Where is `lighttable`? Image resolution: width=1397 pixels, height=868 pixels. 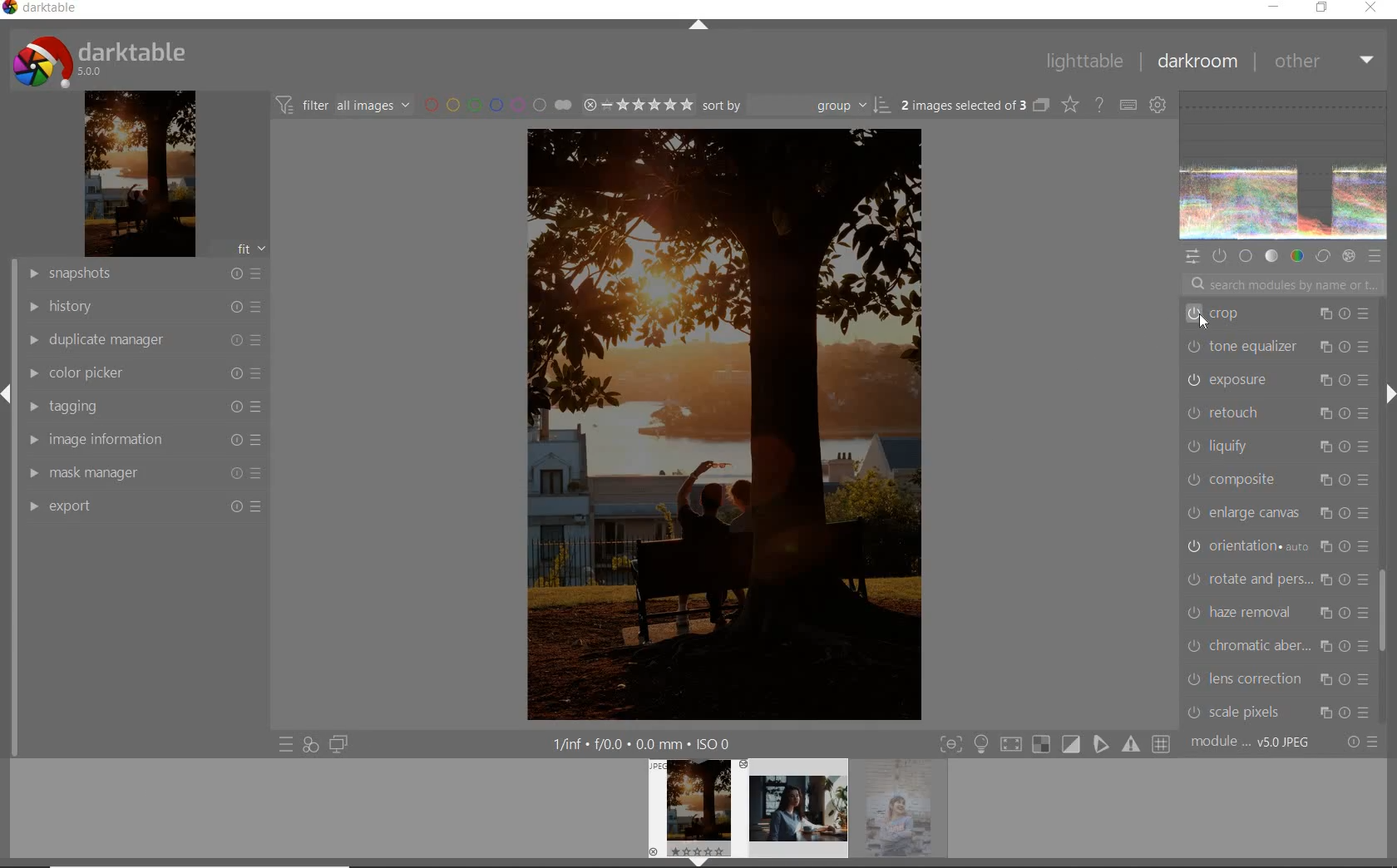 lighttable is located at coordinates (1085, 62).